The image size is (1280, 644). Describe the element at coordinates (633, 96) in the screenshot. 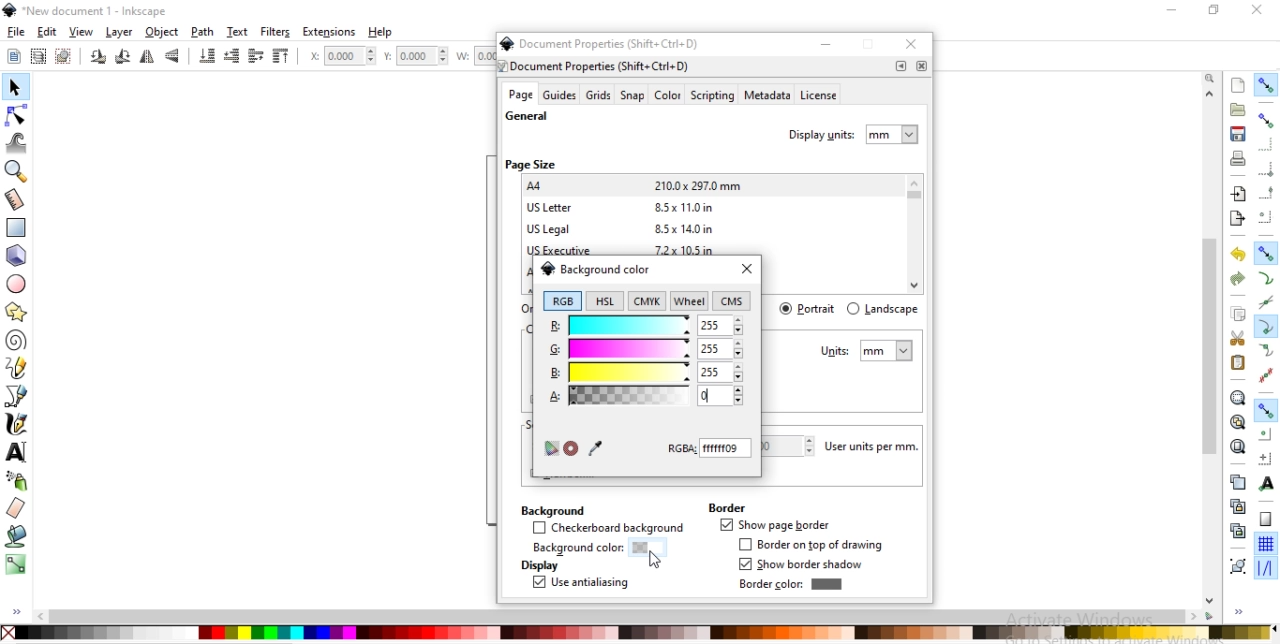

I see `snap` at that location.